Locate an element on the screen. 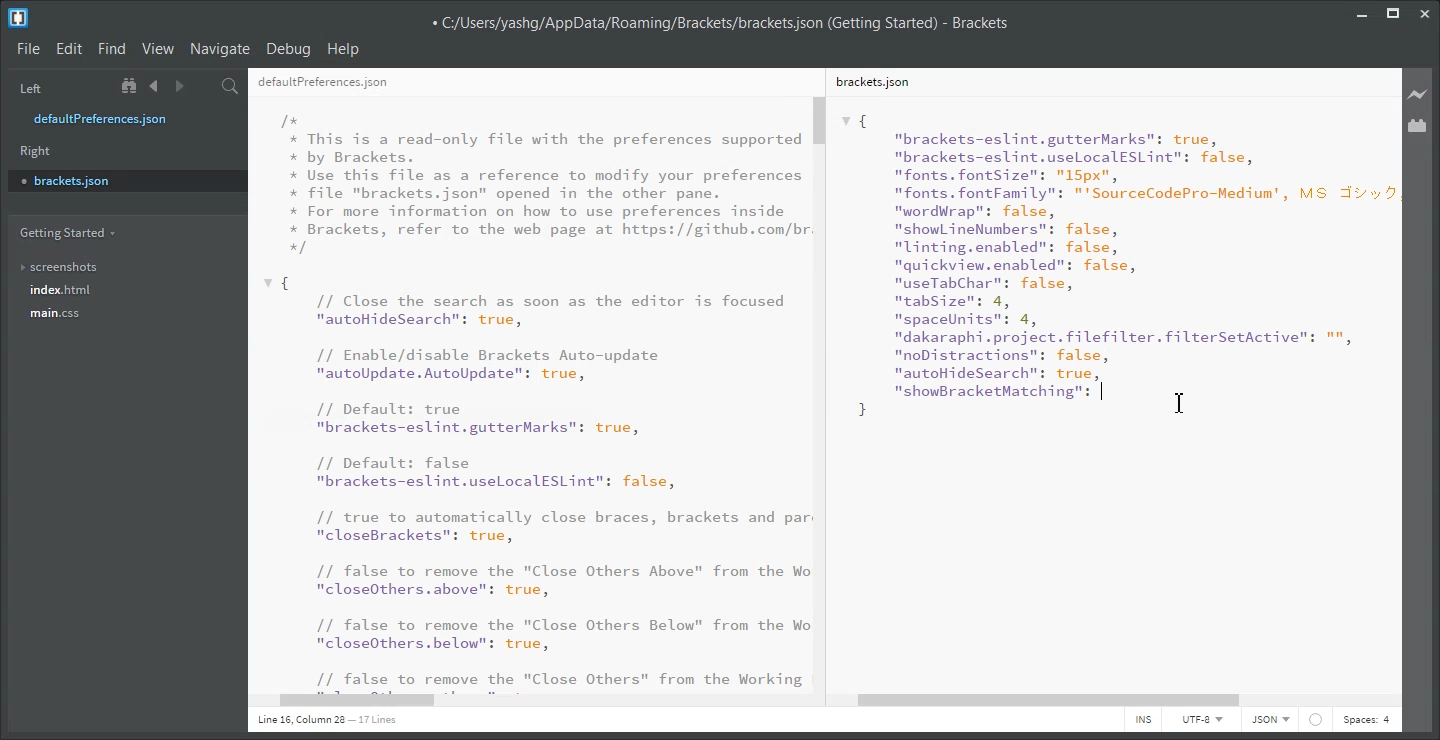  Extension Manager is located at coordinates (1418, 125).